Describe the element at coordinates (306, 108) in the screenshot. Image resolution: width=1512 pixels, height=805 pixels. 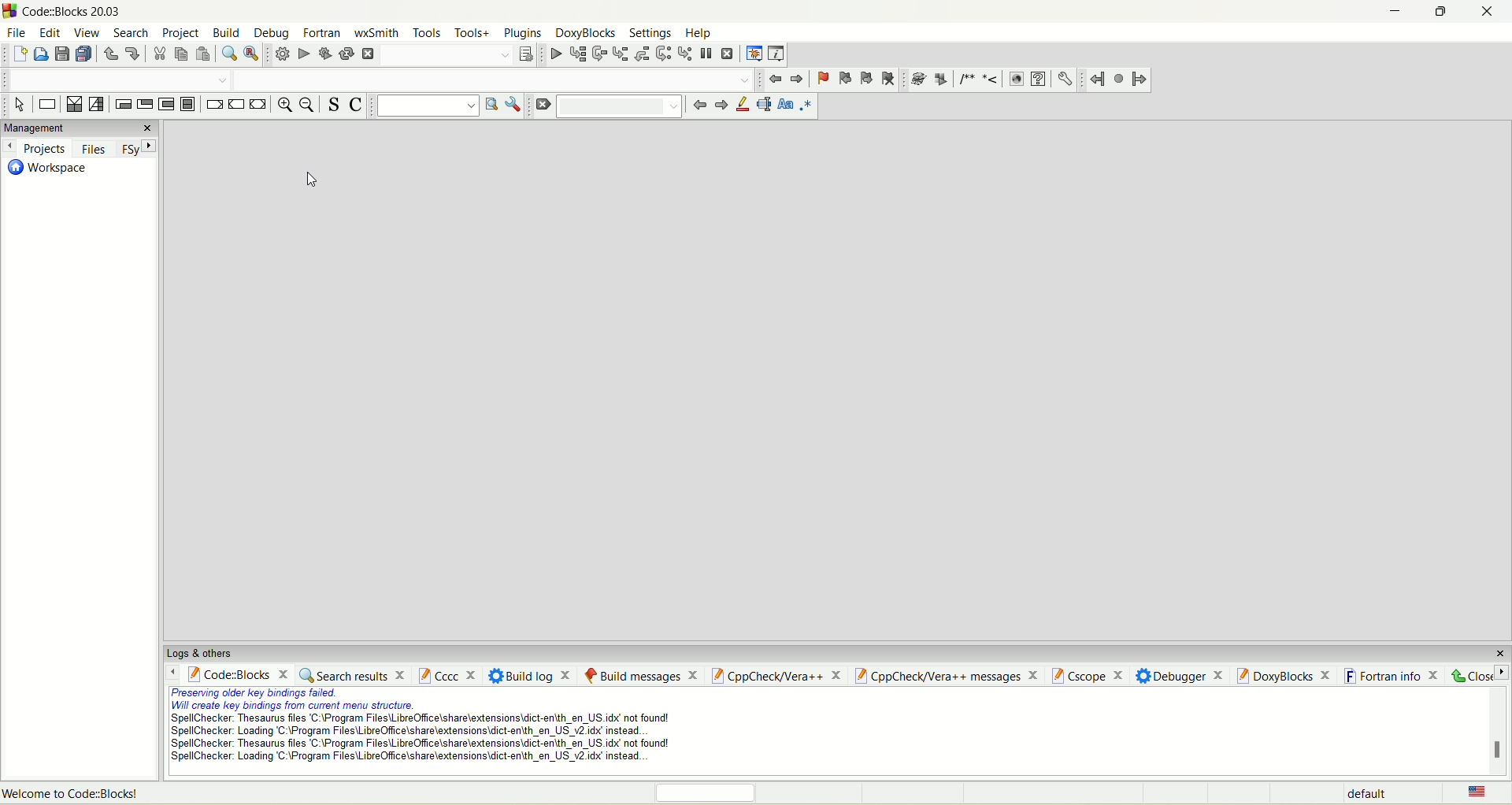
I see `zoom out` at that location.